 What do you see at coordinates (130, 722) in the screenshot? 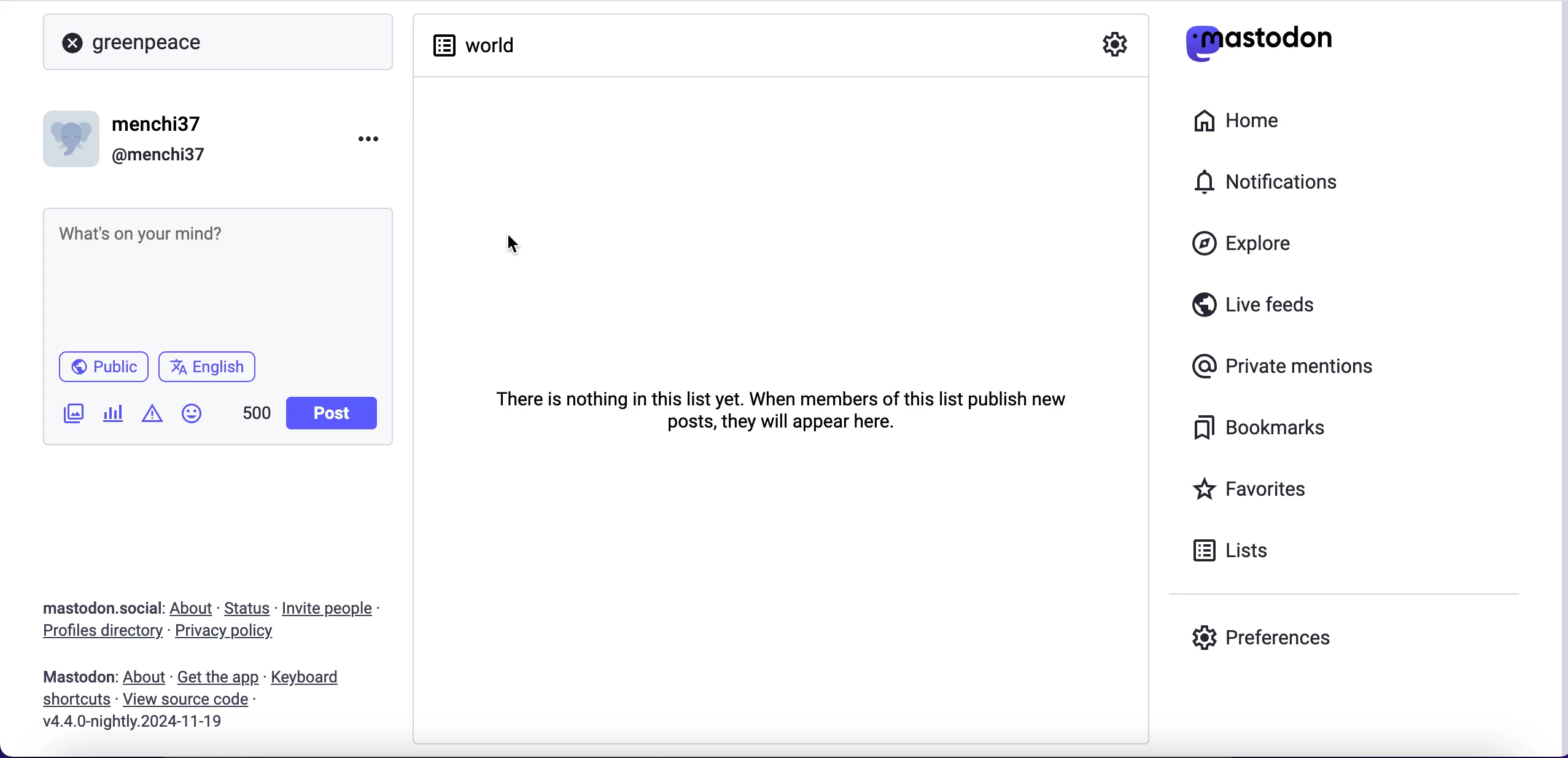
I see `v4.0` at bounding box center [130, 722].